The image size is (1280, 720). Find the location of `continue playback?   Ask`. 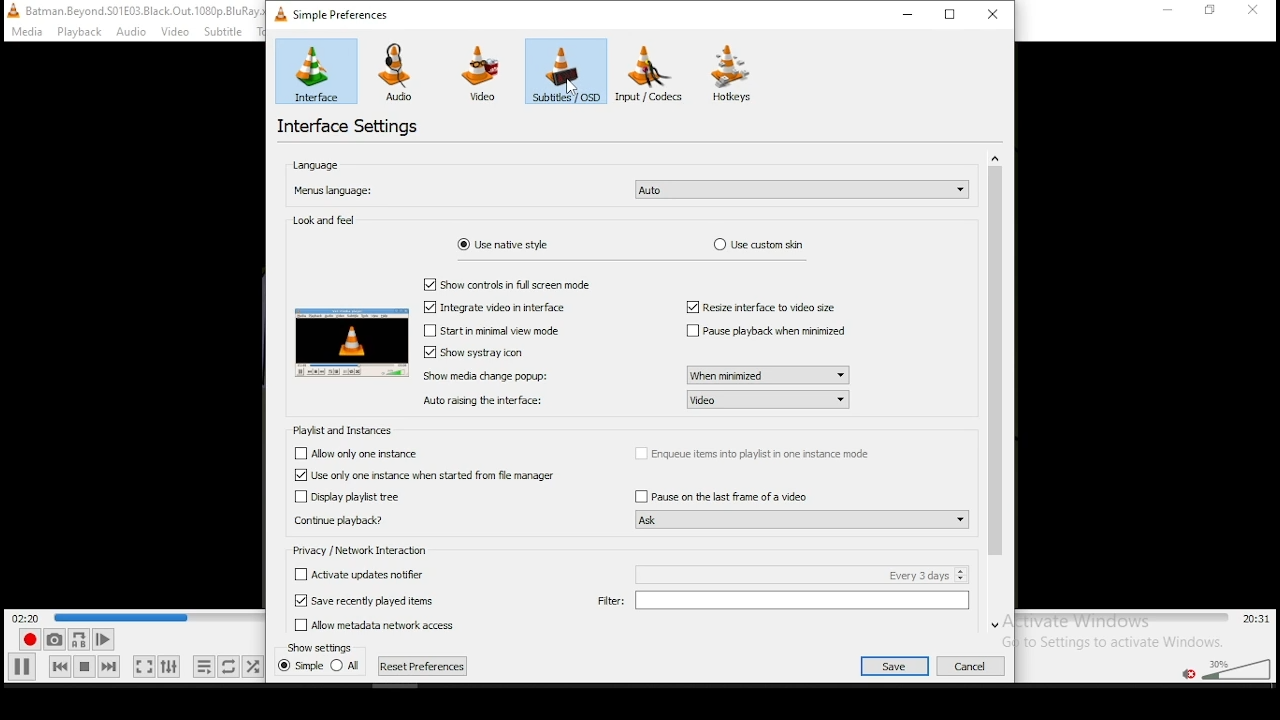

continue playback?   Ask is located at coordinates (630, 519).